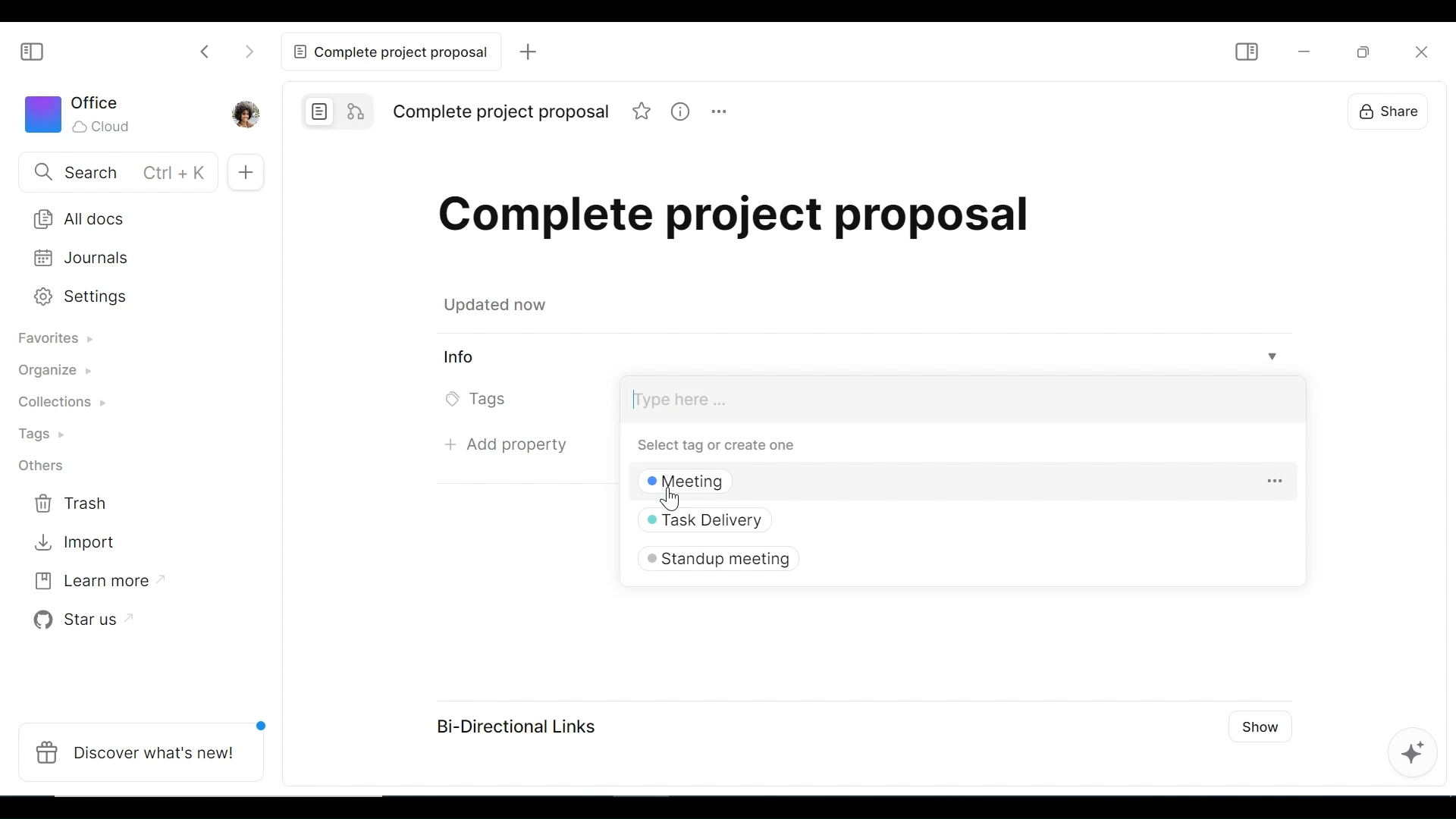  Describe the element at coordinates (1261, 728) in the screenshot. I see `Show` at that location.